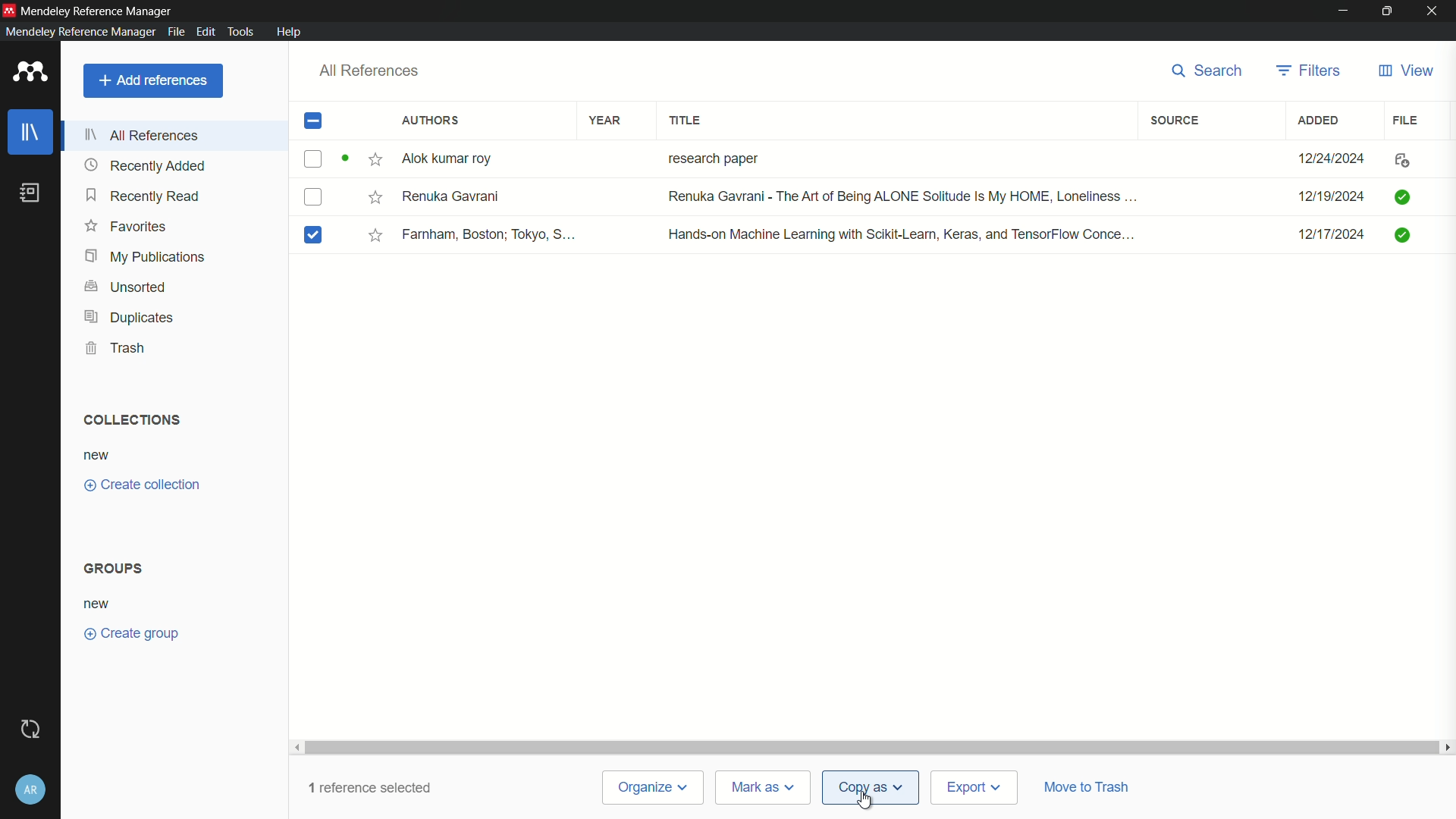 Image resolution: width=1456 pixels, height=819 pixels. I want to click on book, so click(30, 193).